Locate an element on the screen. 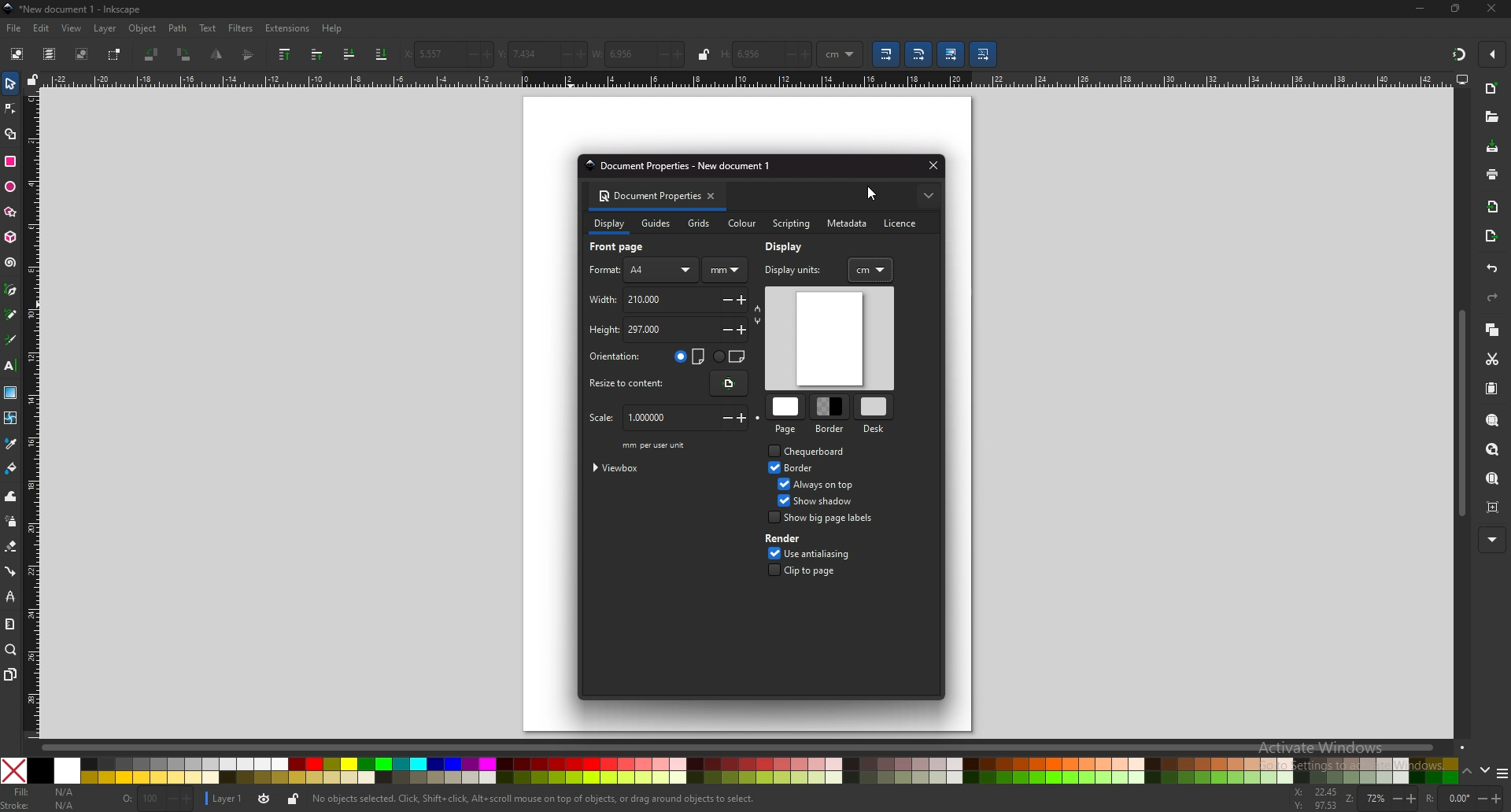 The width and height of the screenshot is (1511, 812). edit is located at coordinates (40, 28).